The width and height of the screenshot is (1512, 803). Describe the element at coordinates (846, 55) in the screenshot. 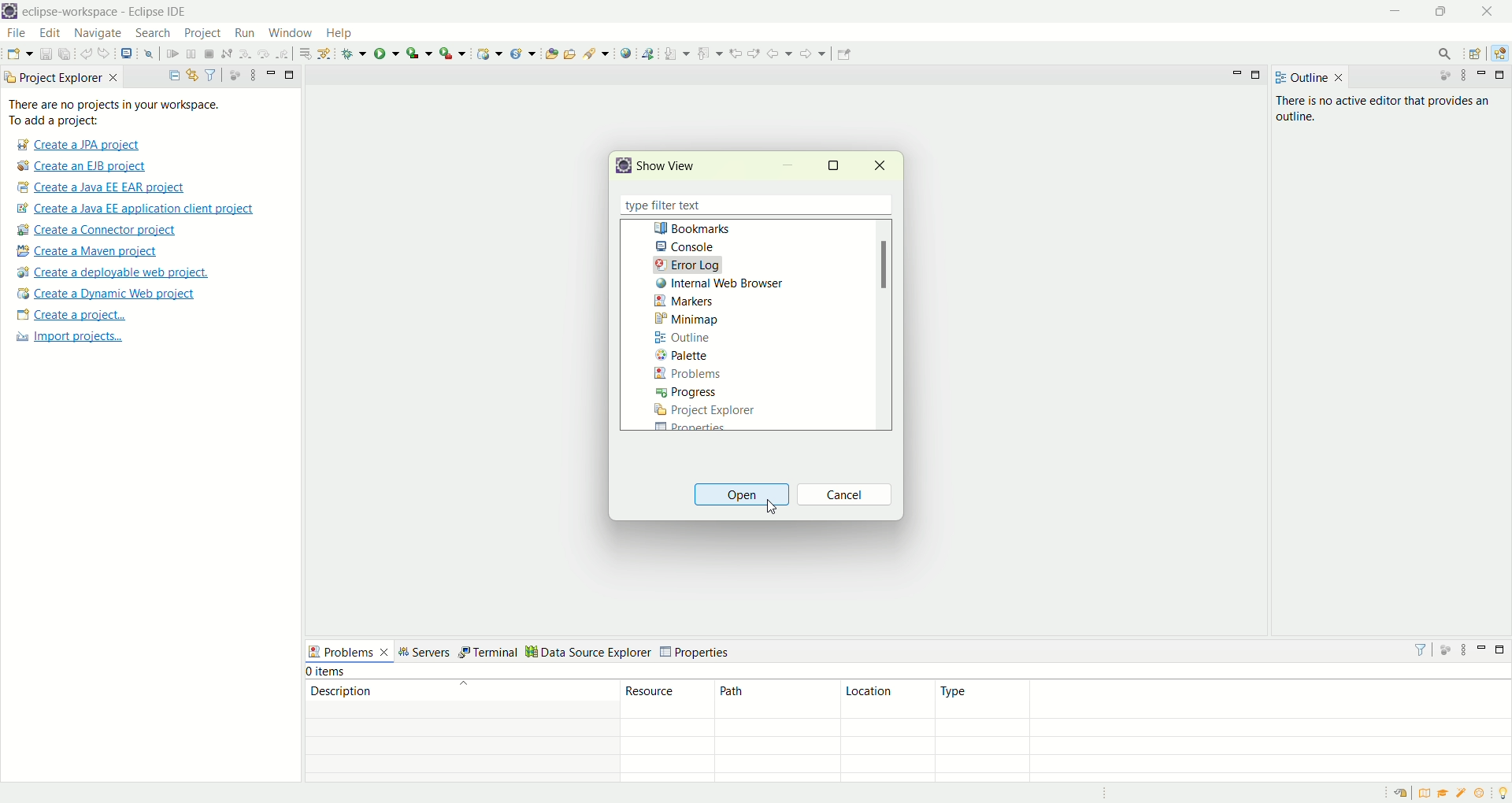

I see `pin editor` at that location.